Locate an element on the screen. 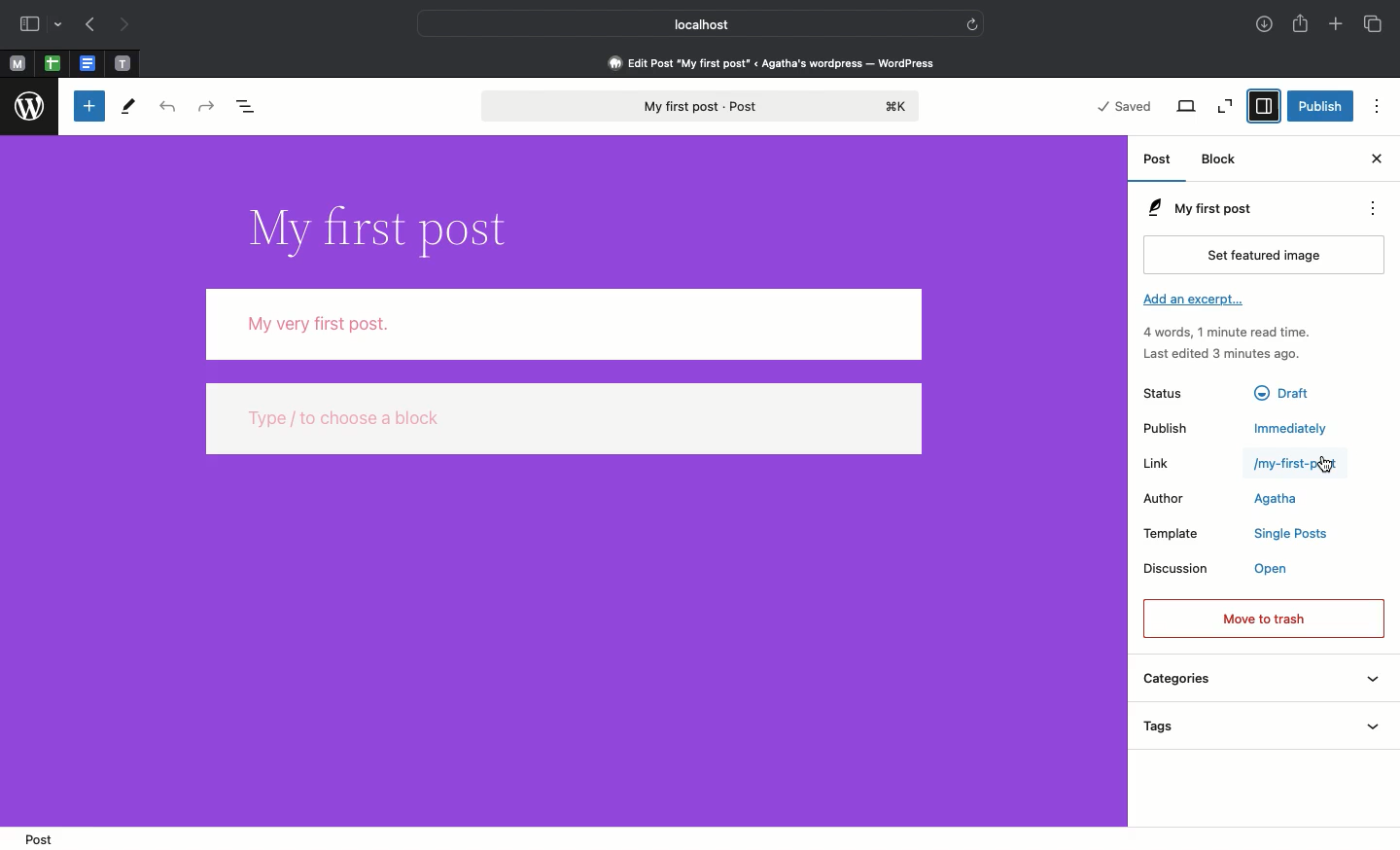  Local host is located at coordinates (686, 21).